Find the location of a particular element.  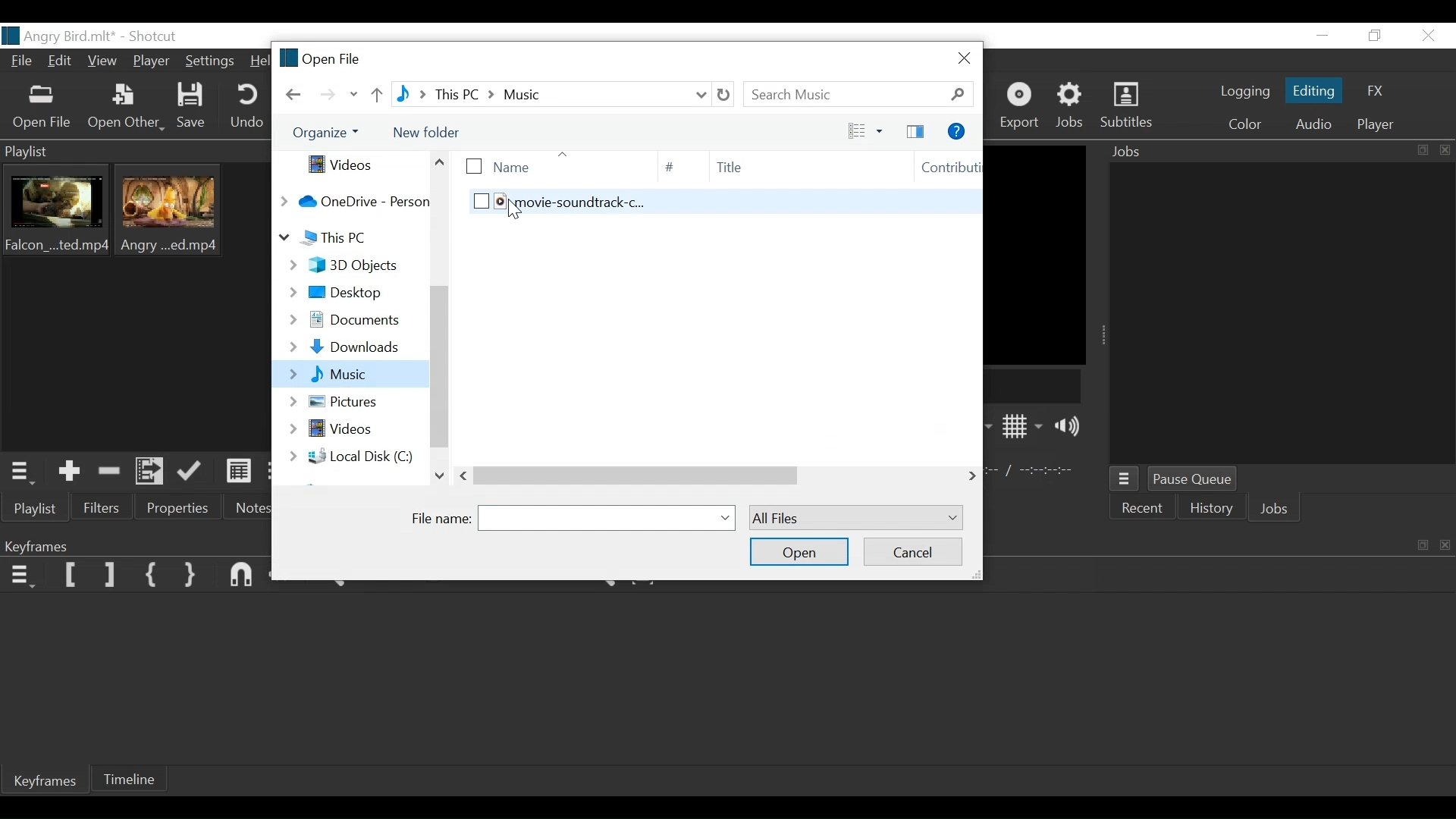

Shotcut is located at coordinates (156, 35).